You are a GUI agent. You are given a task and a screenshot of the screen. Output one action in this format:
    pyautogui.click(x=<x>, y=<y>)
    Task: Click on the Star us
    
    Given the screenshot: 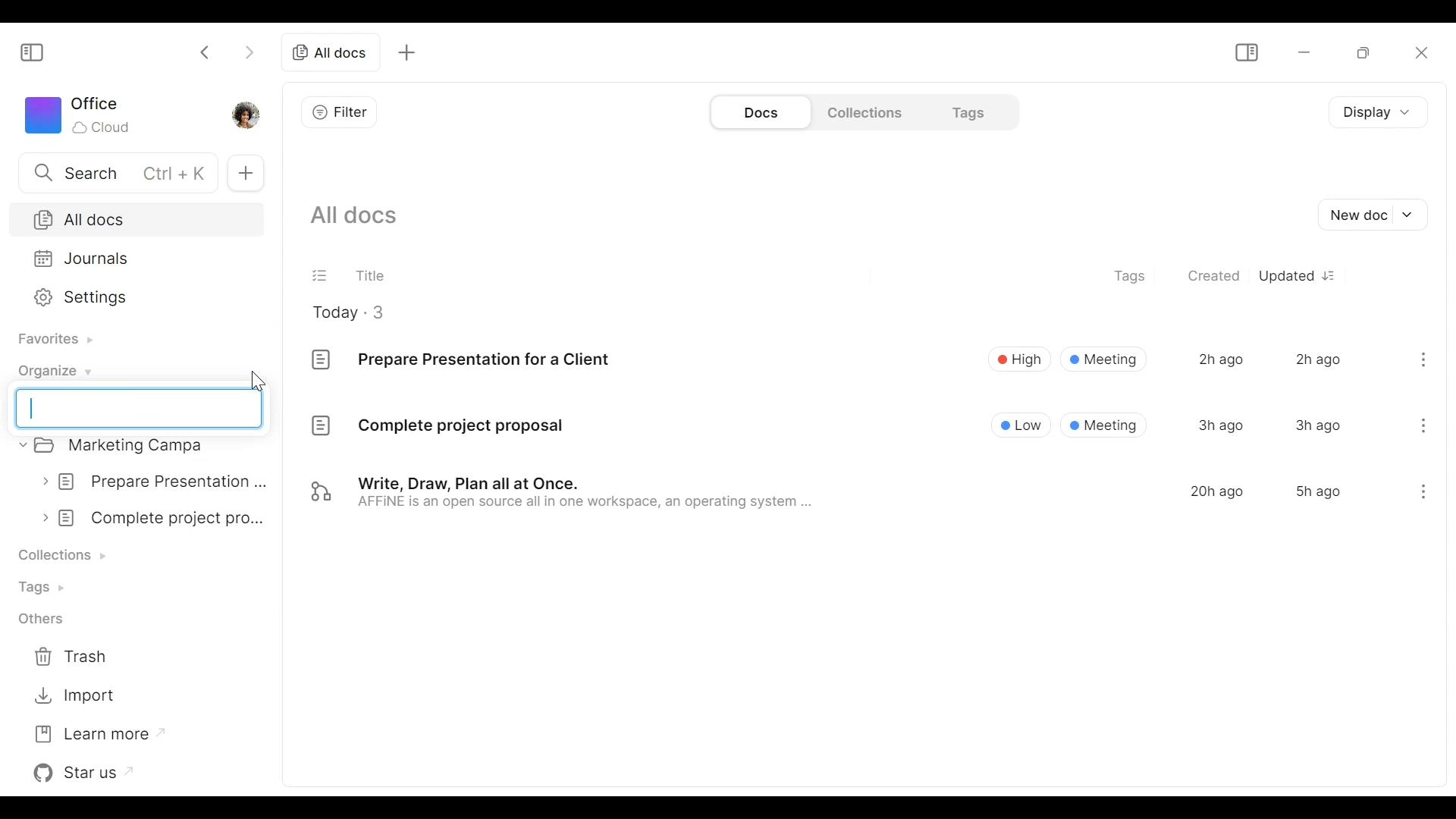 What is the action you would take?
    pyautogui.click(x=87, y=771)
    